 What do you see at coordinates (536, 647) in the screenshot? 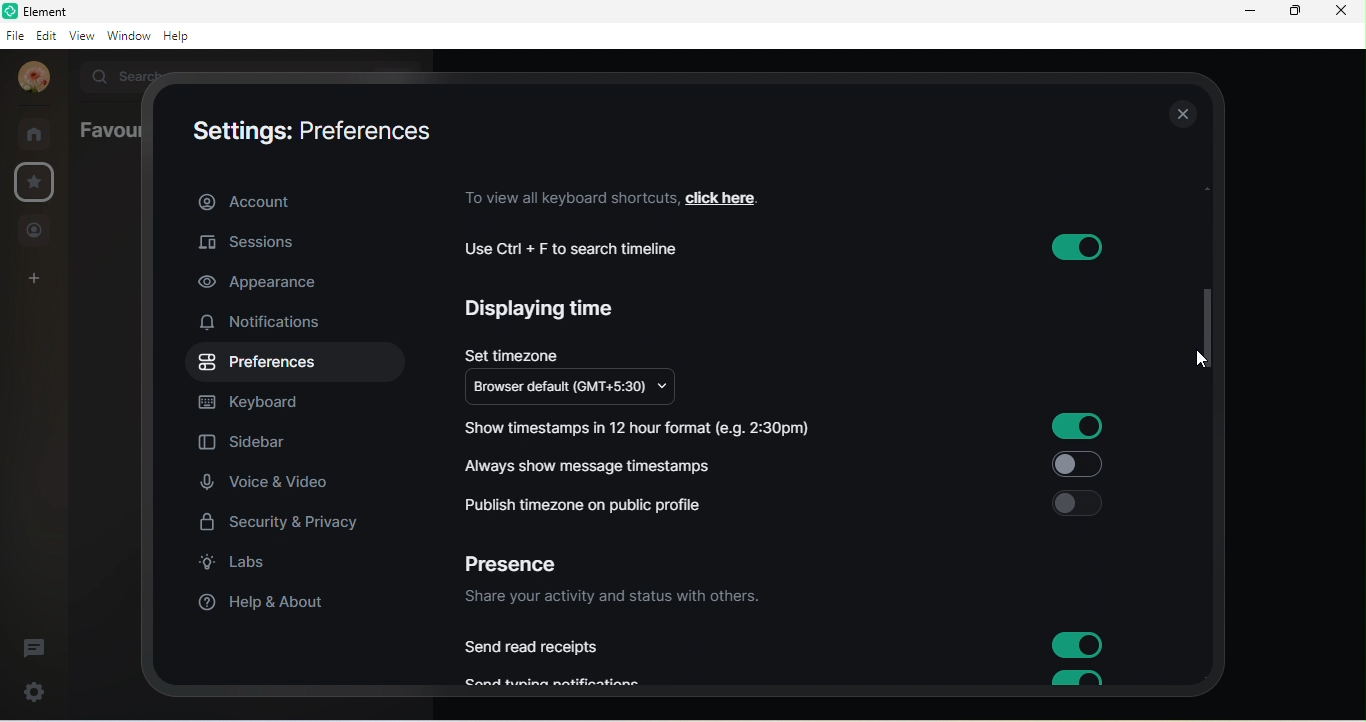
I see `send read receipts` at bounding box center [536, 647].